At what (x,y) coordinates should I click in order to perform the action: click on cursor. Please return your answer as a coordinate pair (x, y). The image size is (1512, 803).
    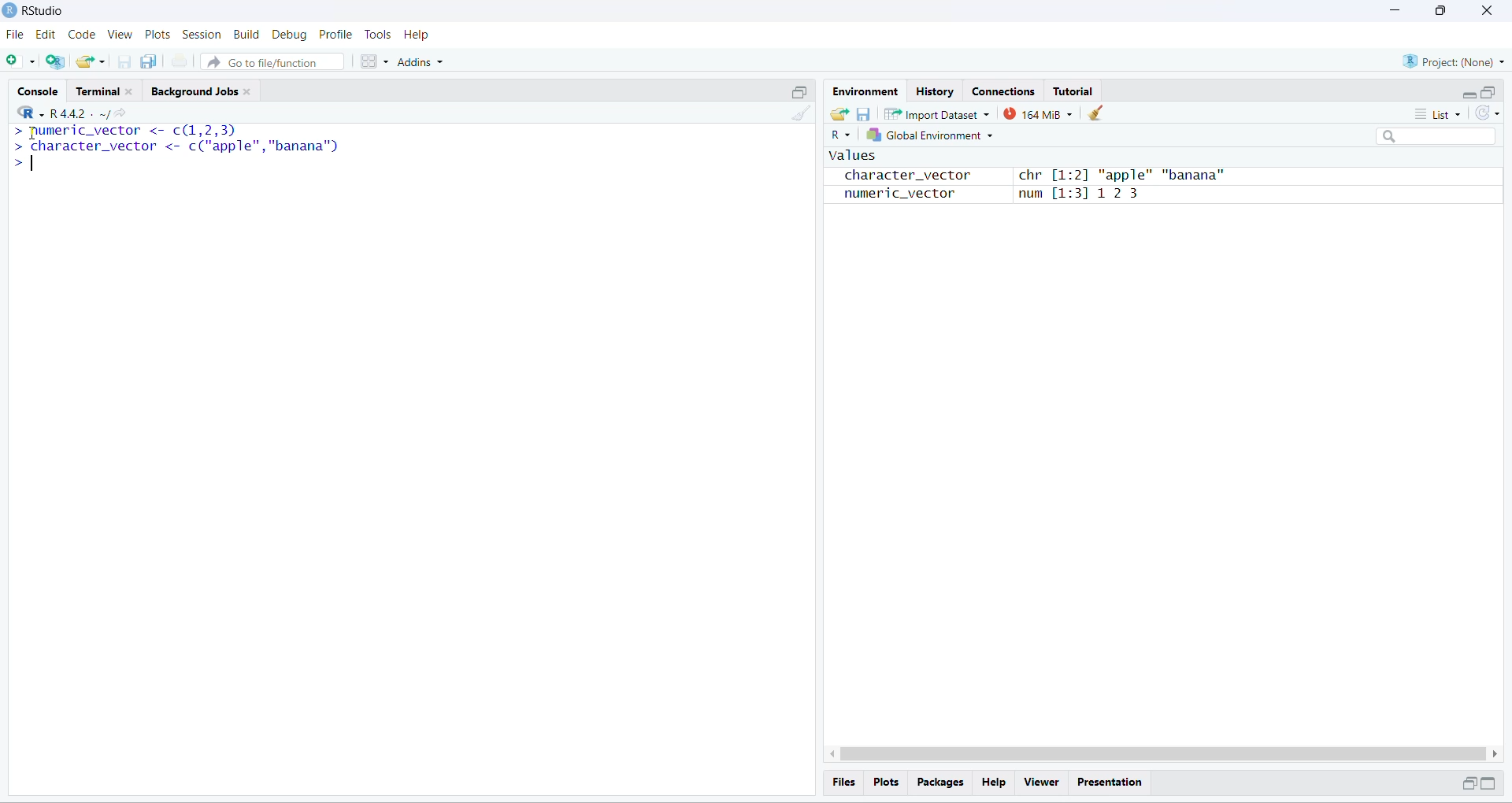
    Looking at the image, I should click on (31, 133).